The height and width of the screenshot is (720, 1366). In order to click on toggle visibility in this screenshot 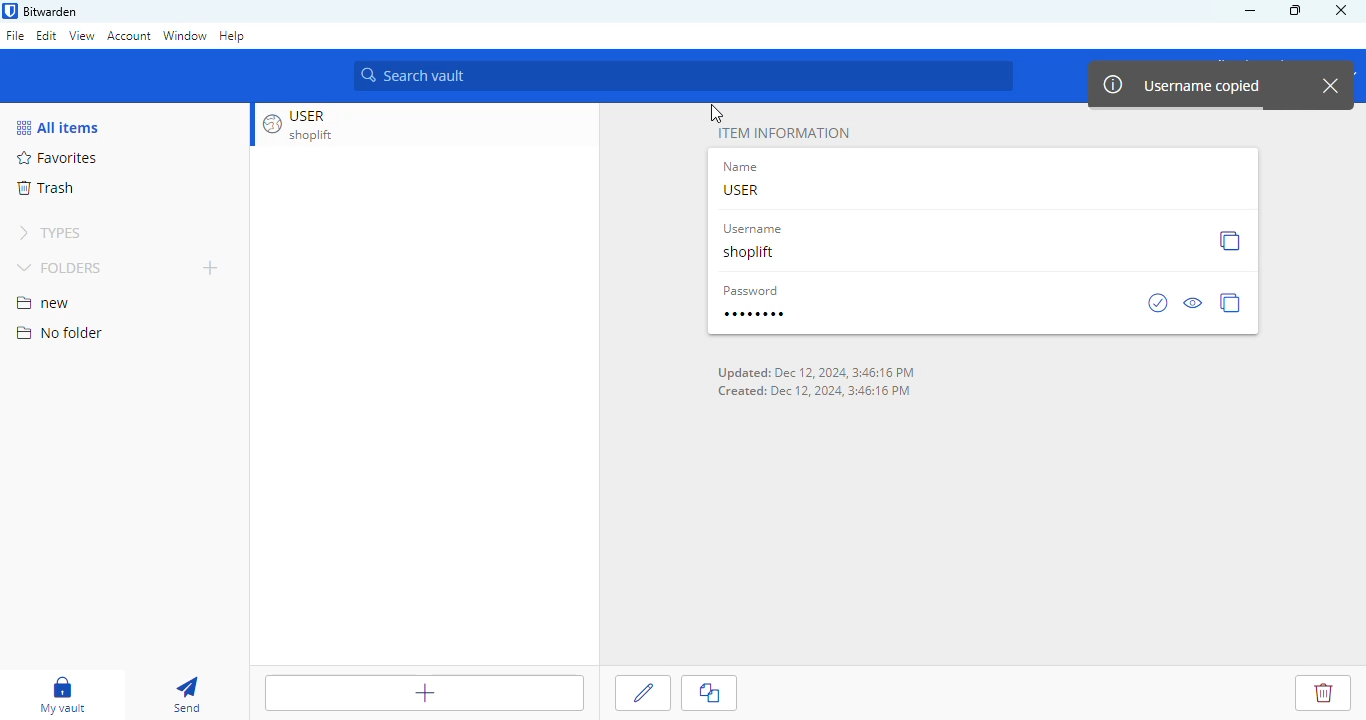, I will do `click(1194, 303)`.